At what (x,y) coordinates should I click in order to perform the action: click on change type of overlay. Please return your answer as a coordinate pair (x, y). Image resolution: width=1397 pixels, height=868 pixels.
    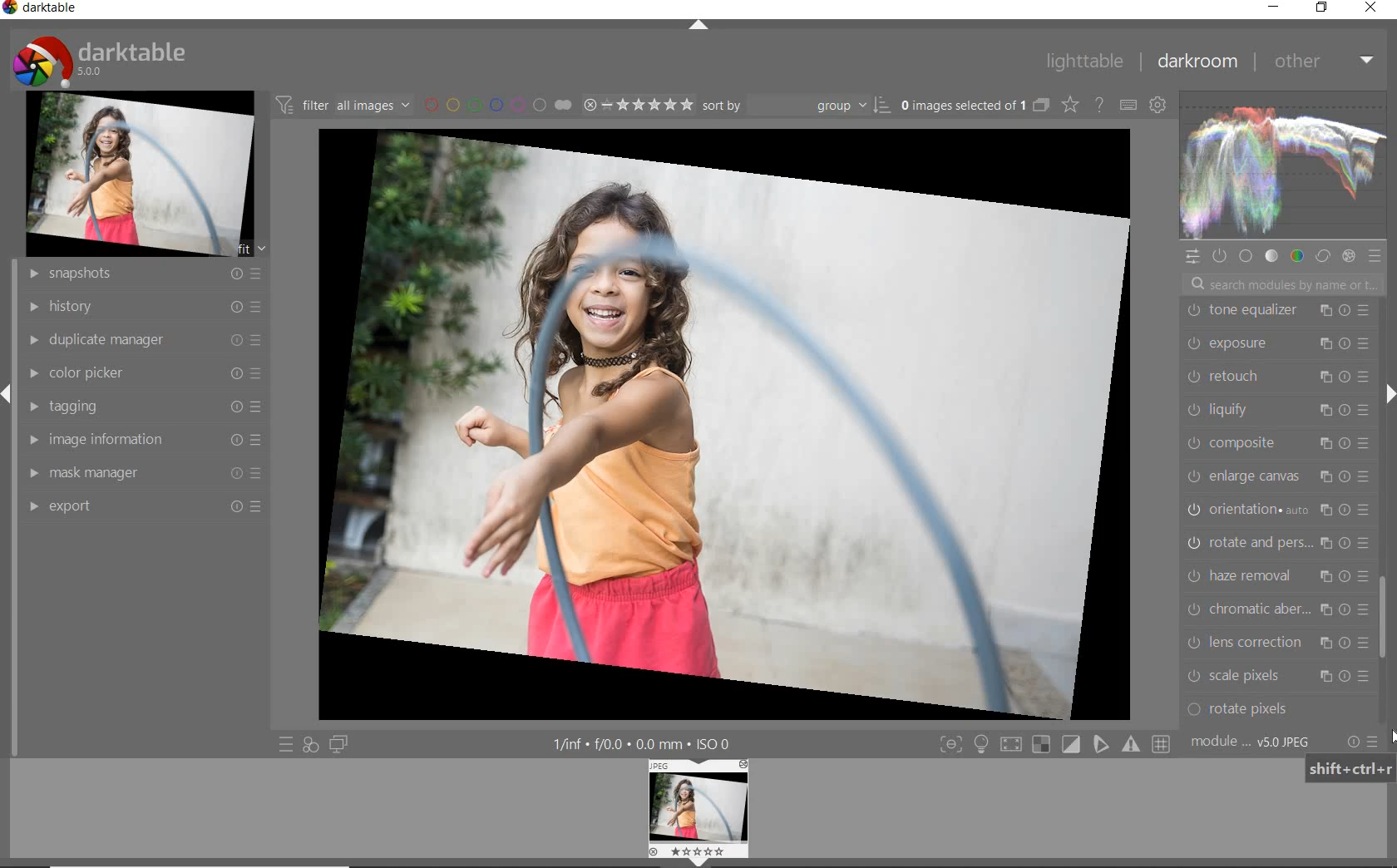
    Looking at the image, I should click on (1072, 106).